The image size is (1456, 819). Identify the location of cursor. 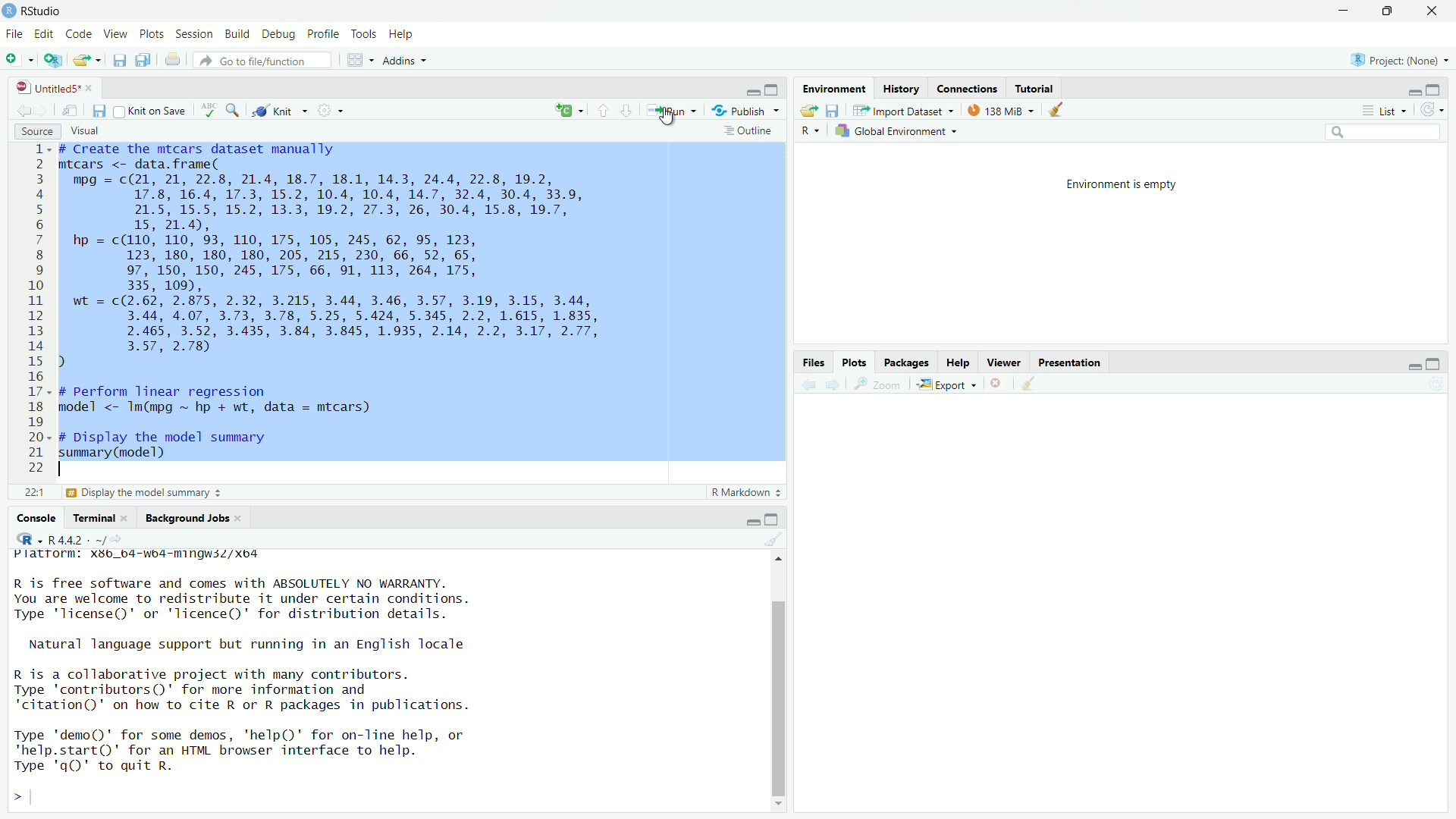
(668, 118).